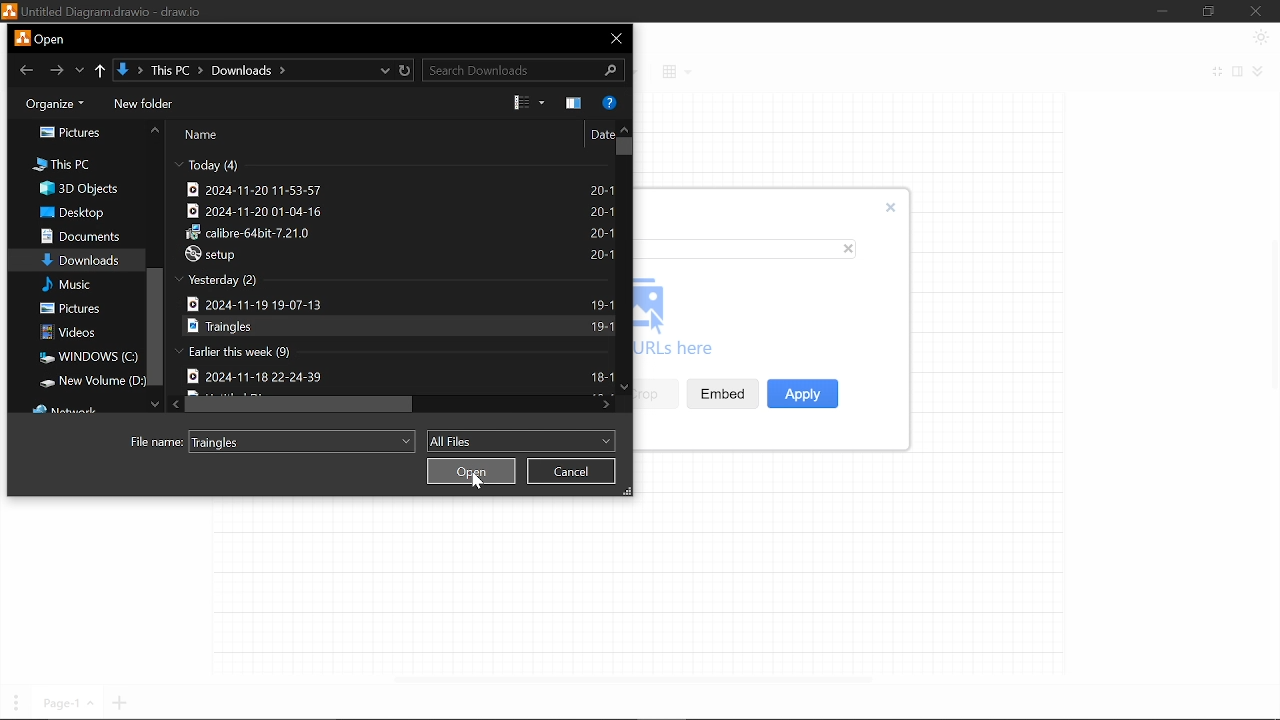 This screenshot has width=1280, height=720. What do you see at coordinates (46, 40) in the screenshot?
I see `Current window` at bounding box center [46, 40].